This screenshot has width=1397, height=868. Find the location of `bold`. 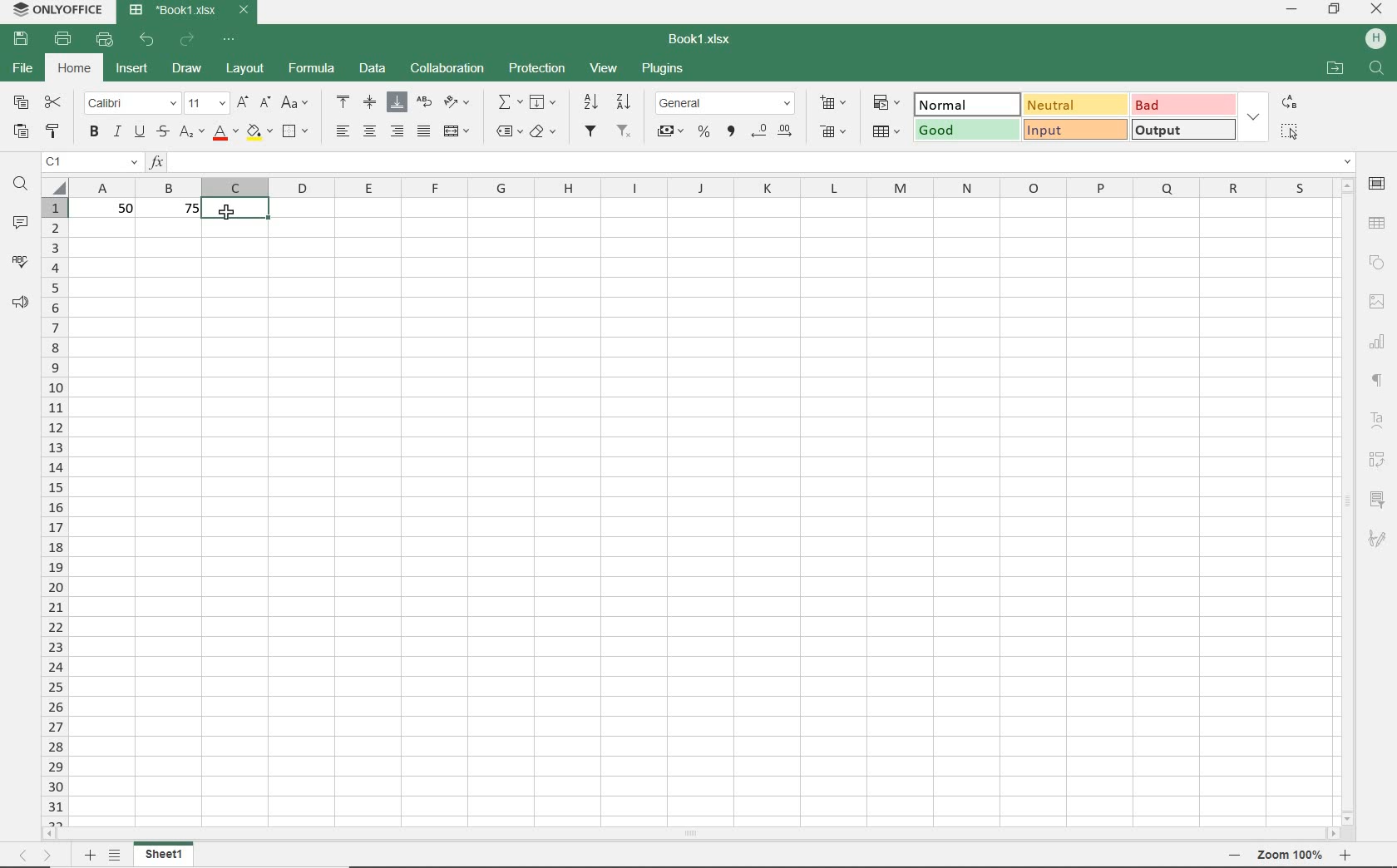

bold is located at coordinates (93, 133).